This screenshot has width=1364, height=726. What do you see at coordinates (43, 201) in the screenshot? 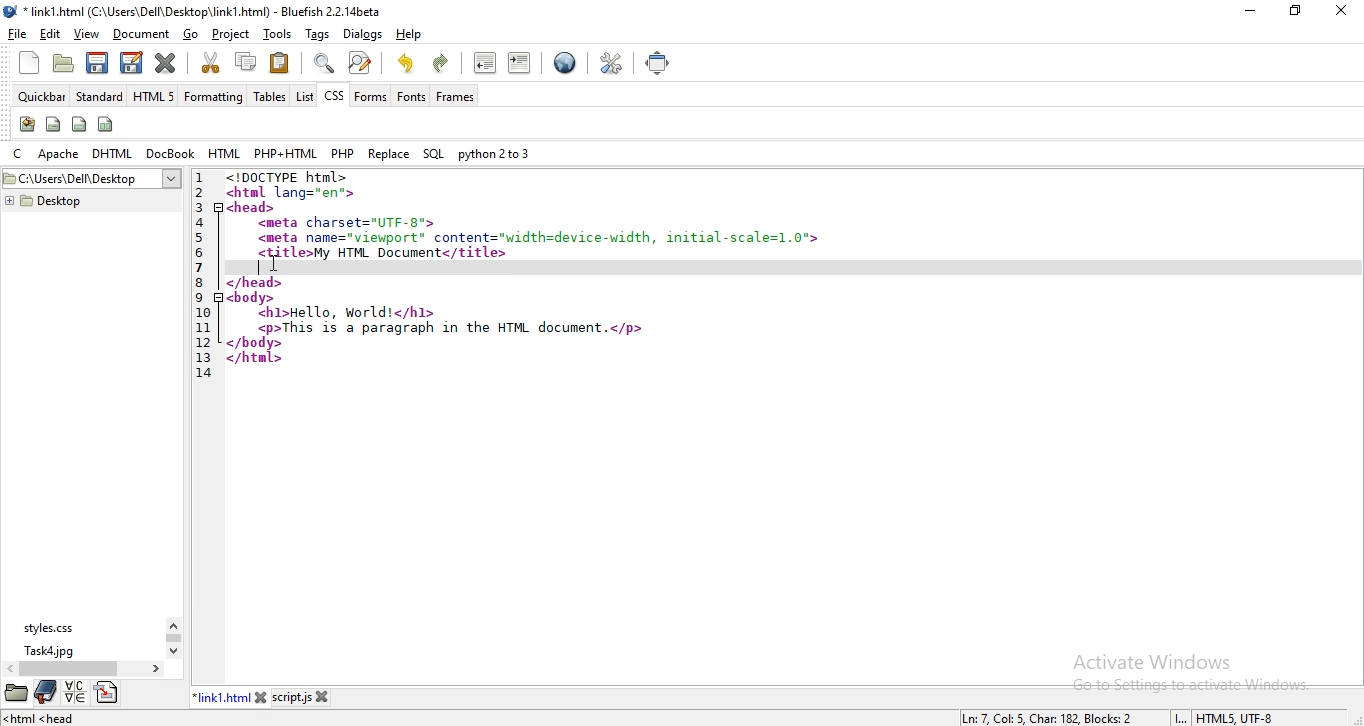
I see `desktop` at bounding box center [43, 201].